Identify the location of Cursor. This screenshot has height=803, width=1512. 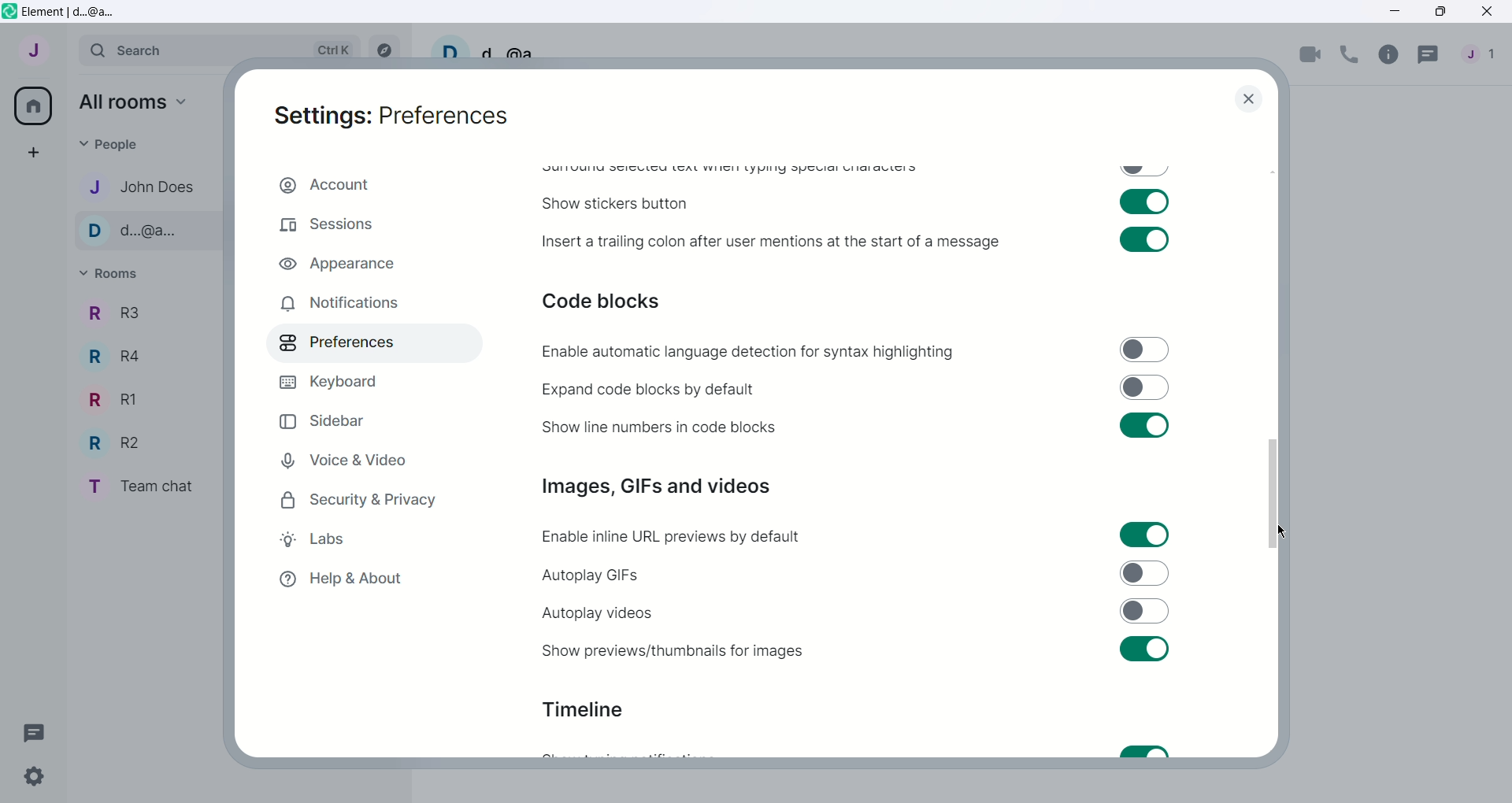
(1282, 531).